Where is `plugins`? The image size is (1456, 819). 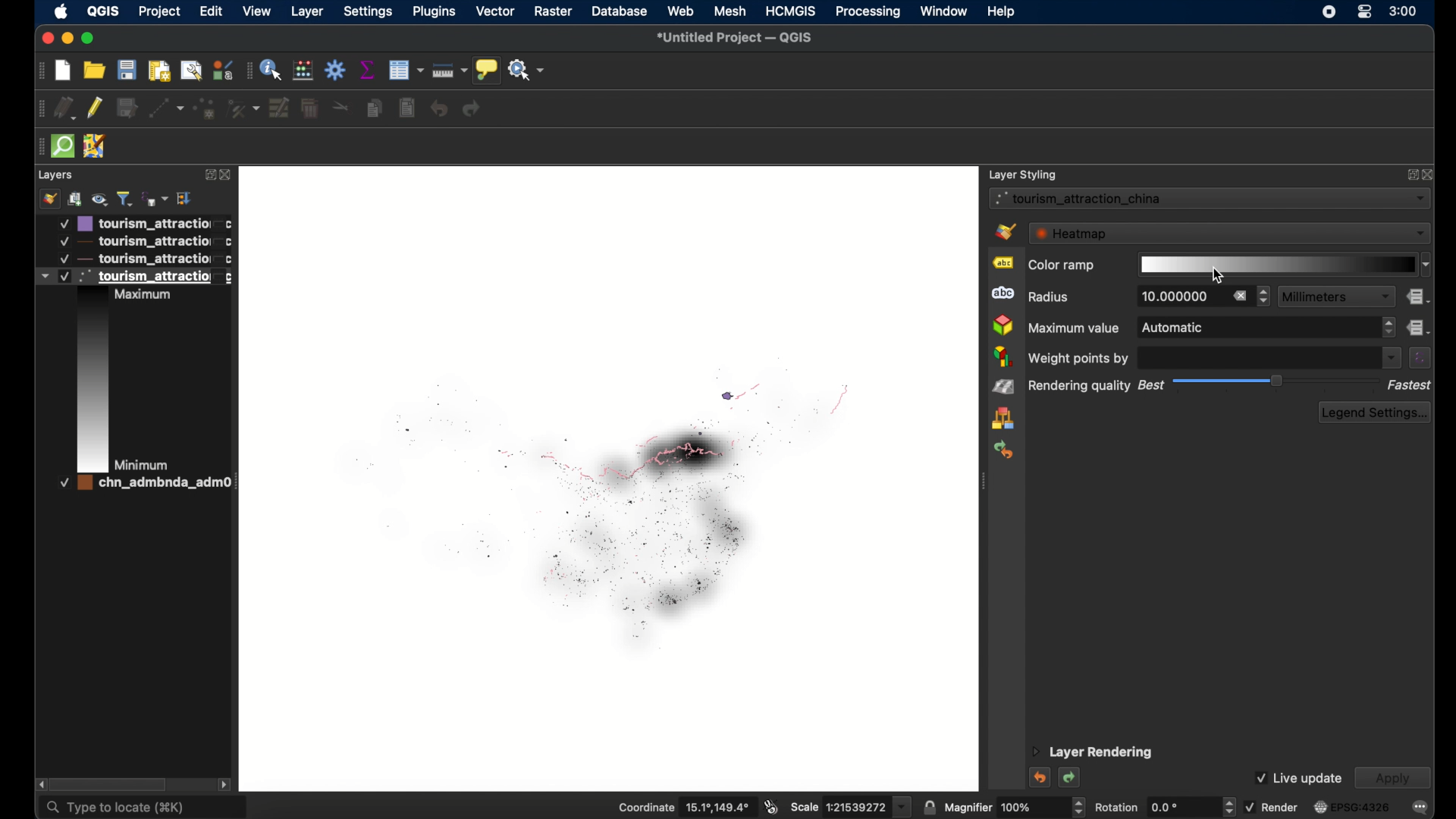
plugins is located at coordinates (435, 13).